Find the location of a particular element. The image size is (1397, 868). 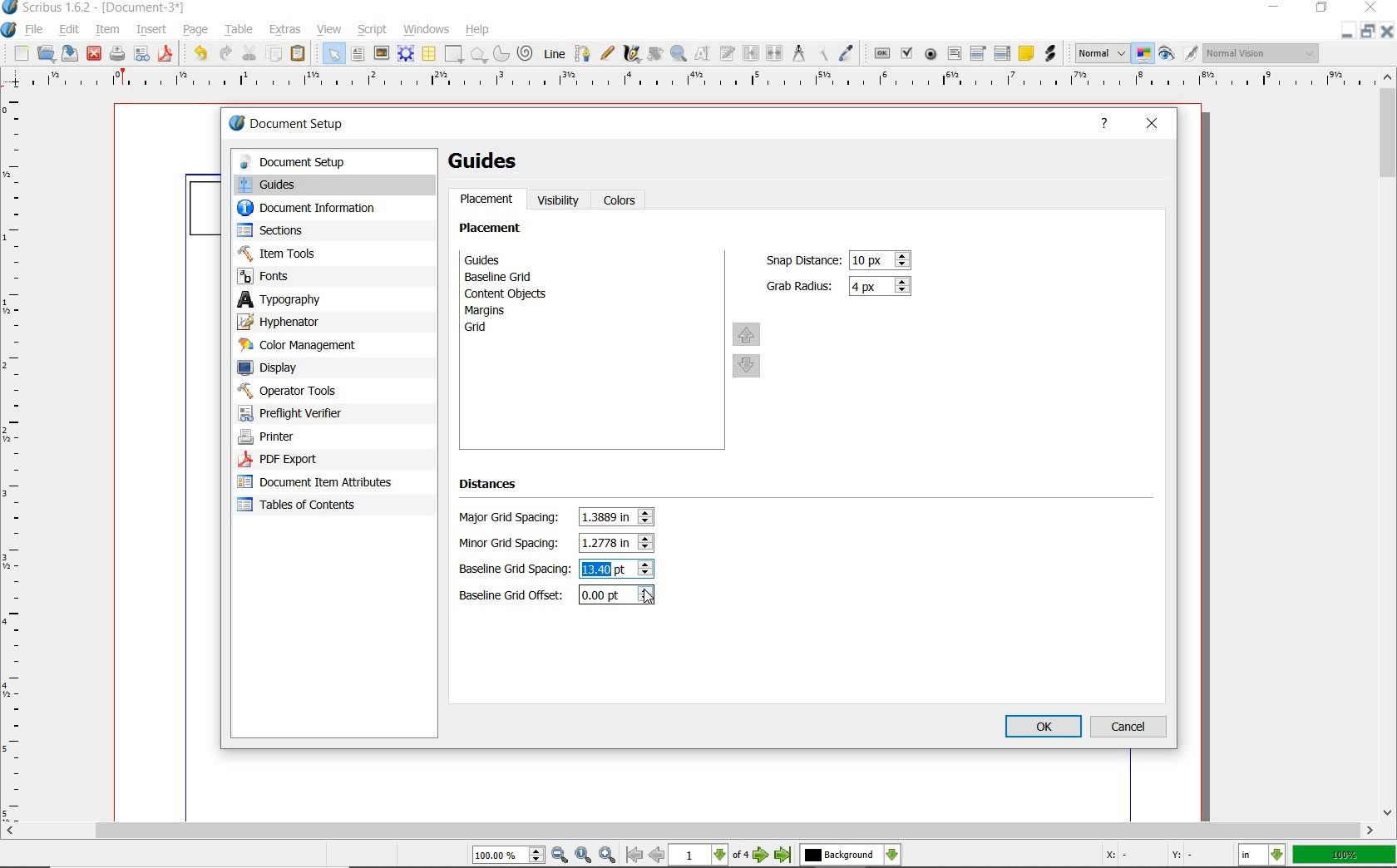

line is located at coordinates (554, 52).